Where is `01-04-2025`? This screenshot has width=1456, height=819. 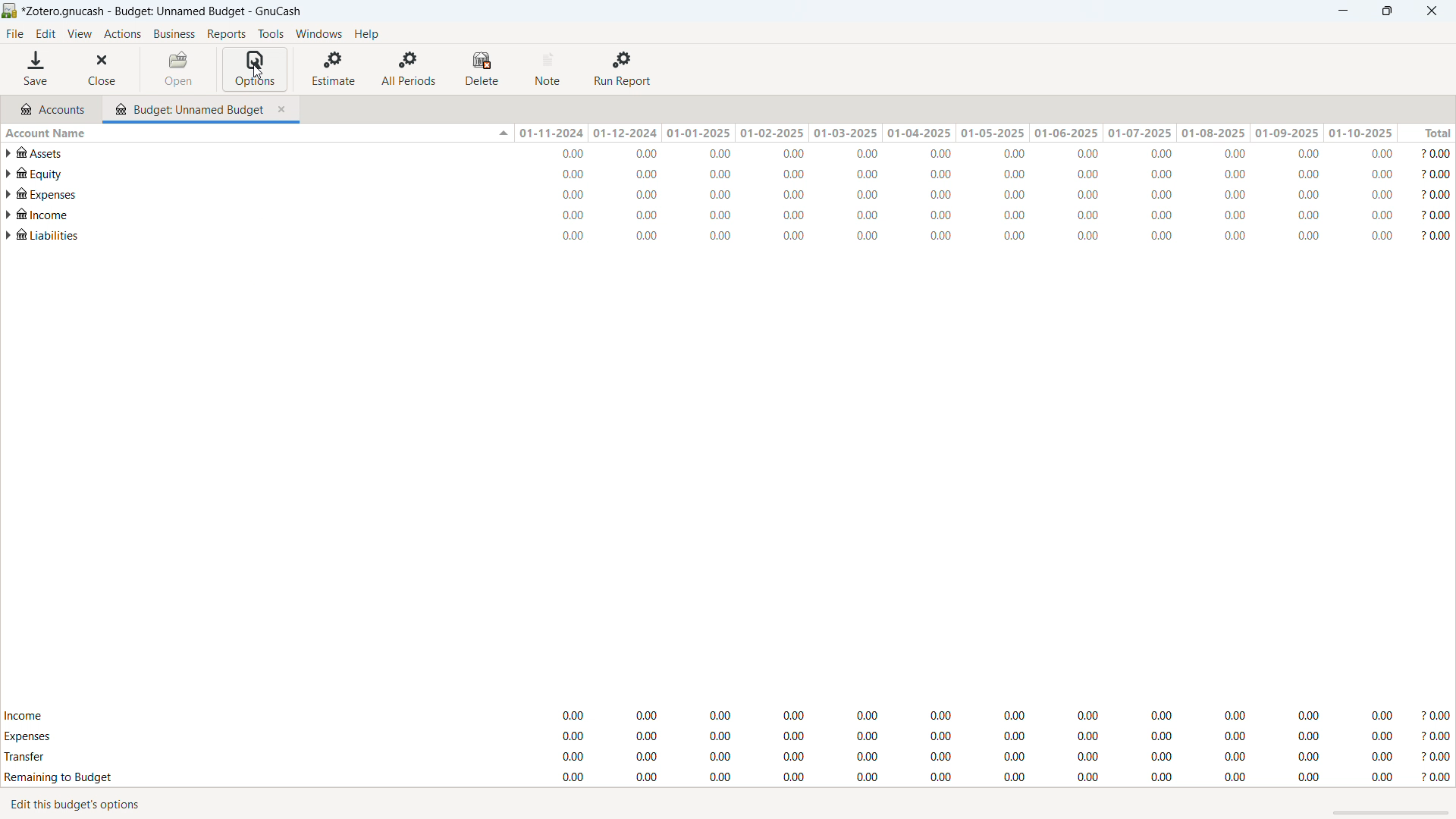 01-04-2025 is located at coordinates (916, 133).